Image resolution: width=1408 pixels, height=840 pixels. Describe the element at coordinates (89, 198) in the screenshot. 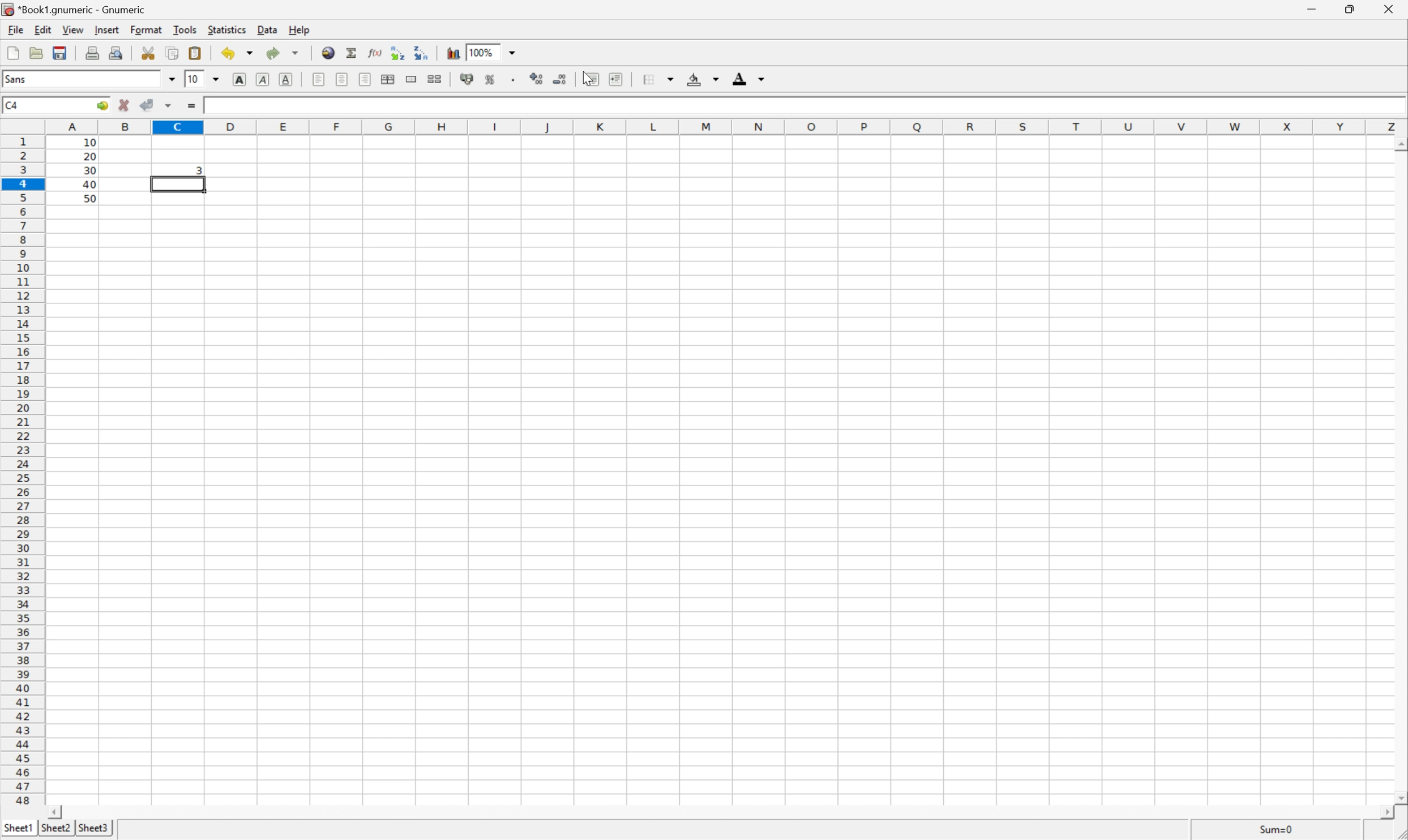

I see `50` at that location.